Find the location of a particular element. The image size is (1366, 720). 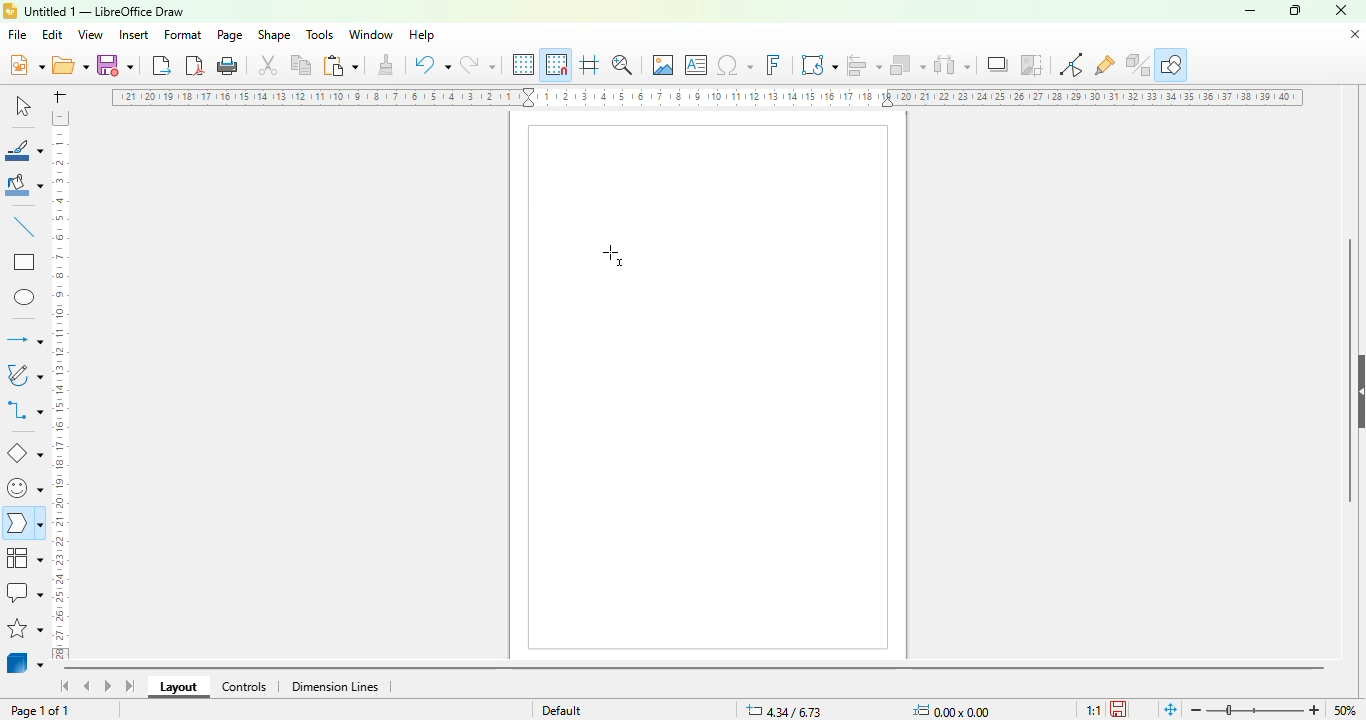

toggle extrusion is located at coordinates (1138, 65).